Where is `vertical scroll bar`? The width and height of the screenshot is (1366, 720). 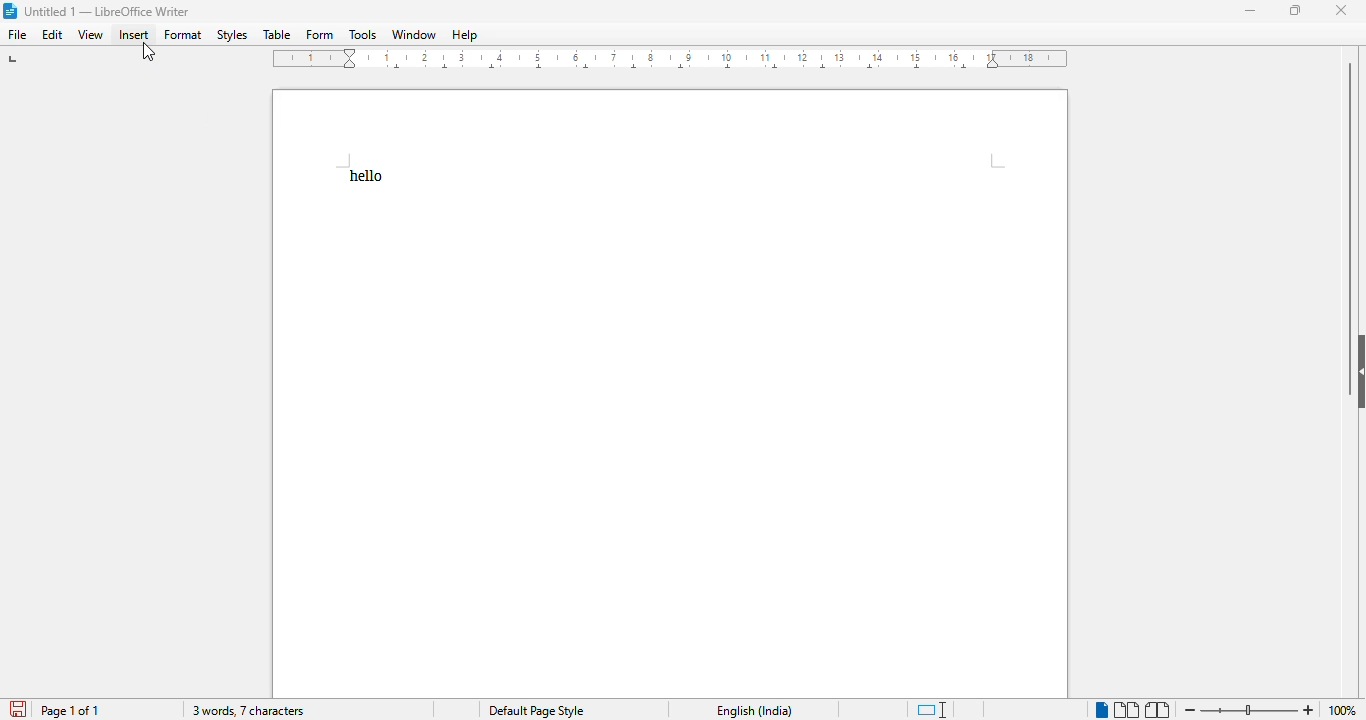 vertical scroll bar is located at coordinates (1351, 192).